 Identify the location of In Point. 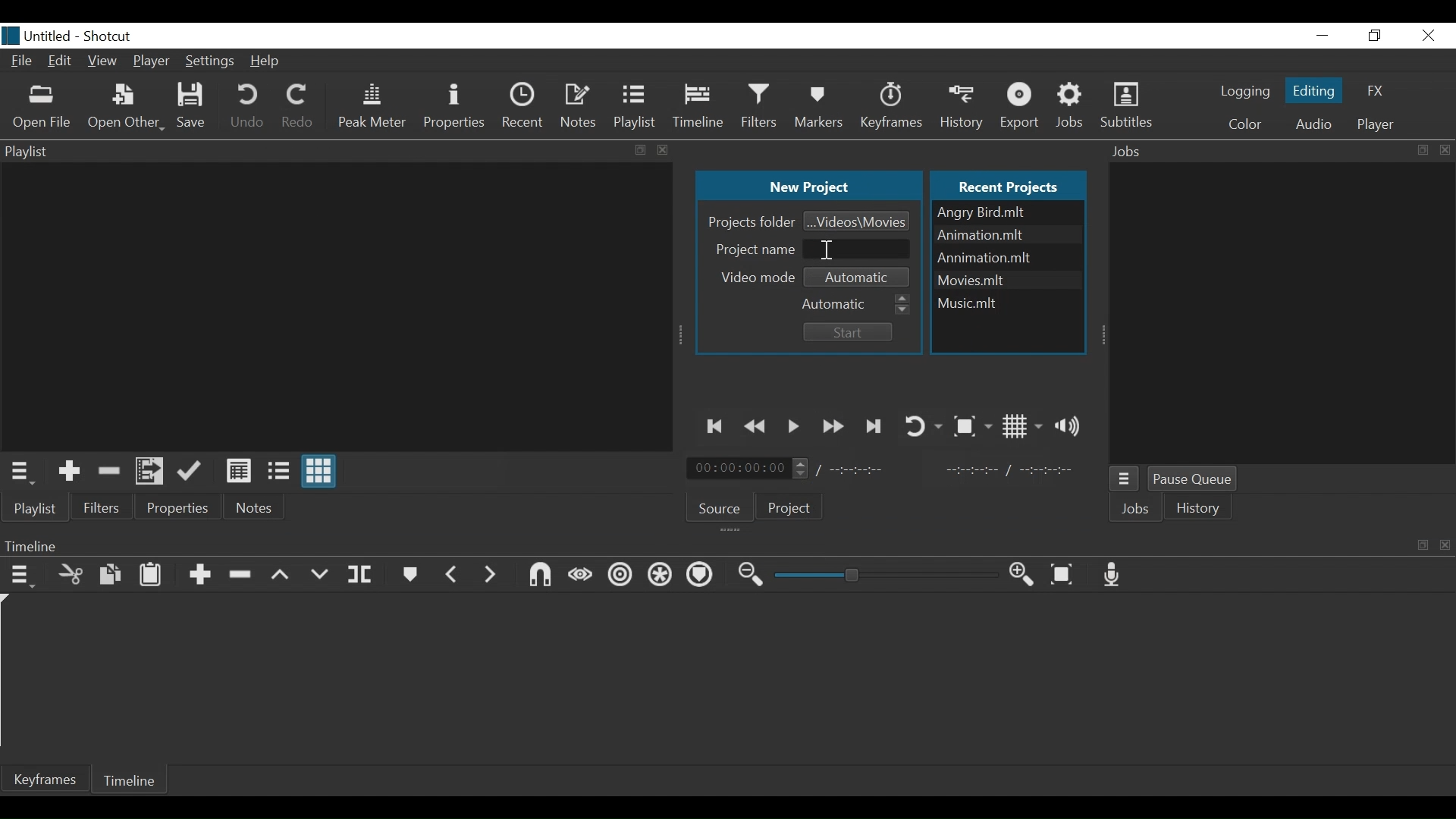
(1009, 470).